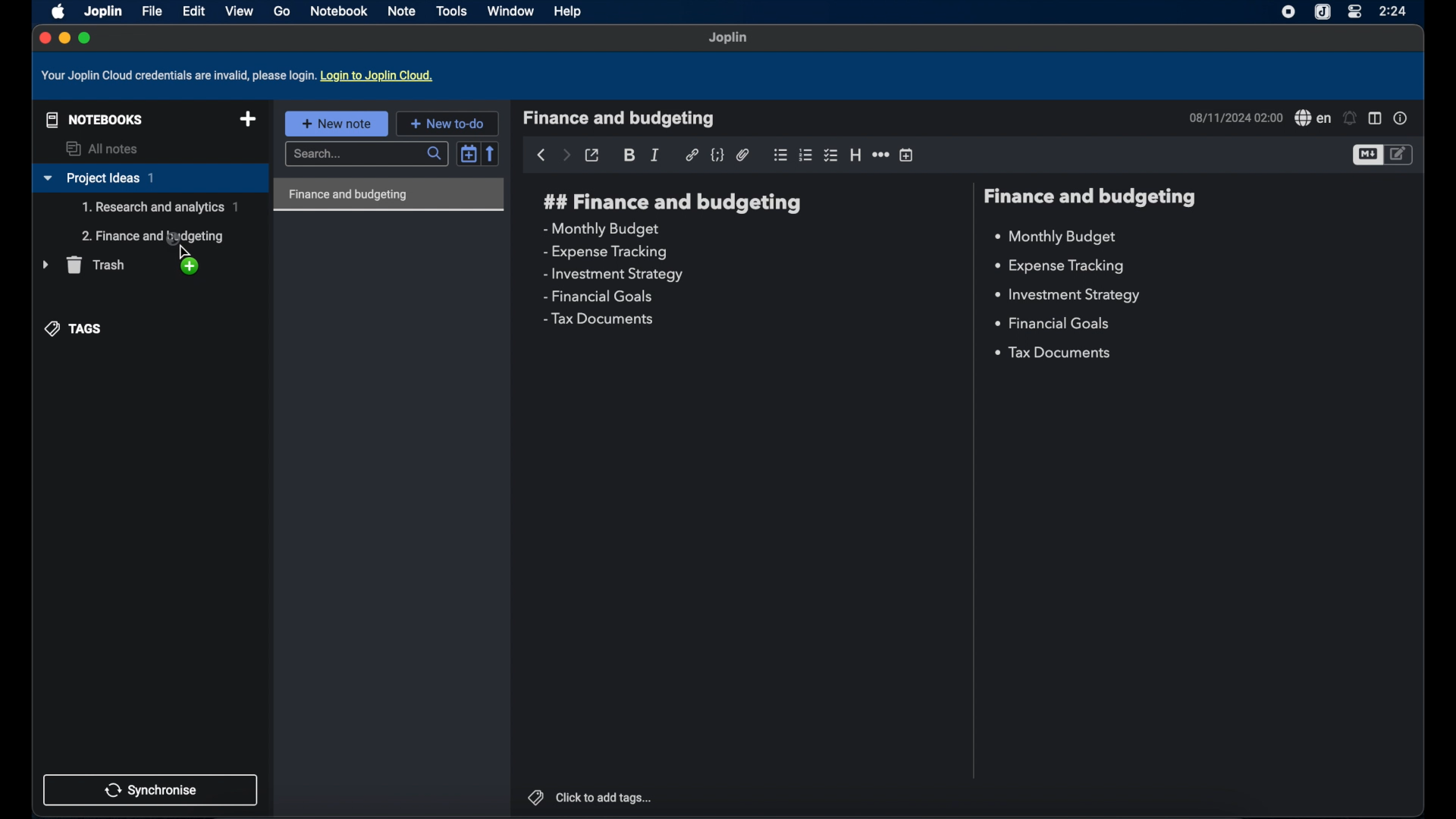 Image resolution: width=1456 pixels, height=819 pixels. Describe the element at coordinates (240, 76) in the screenshot. I see `your joplin cloud credentials are invalid, please log in.  log in to joplin cloud` at that location.